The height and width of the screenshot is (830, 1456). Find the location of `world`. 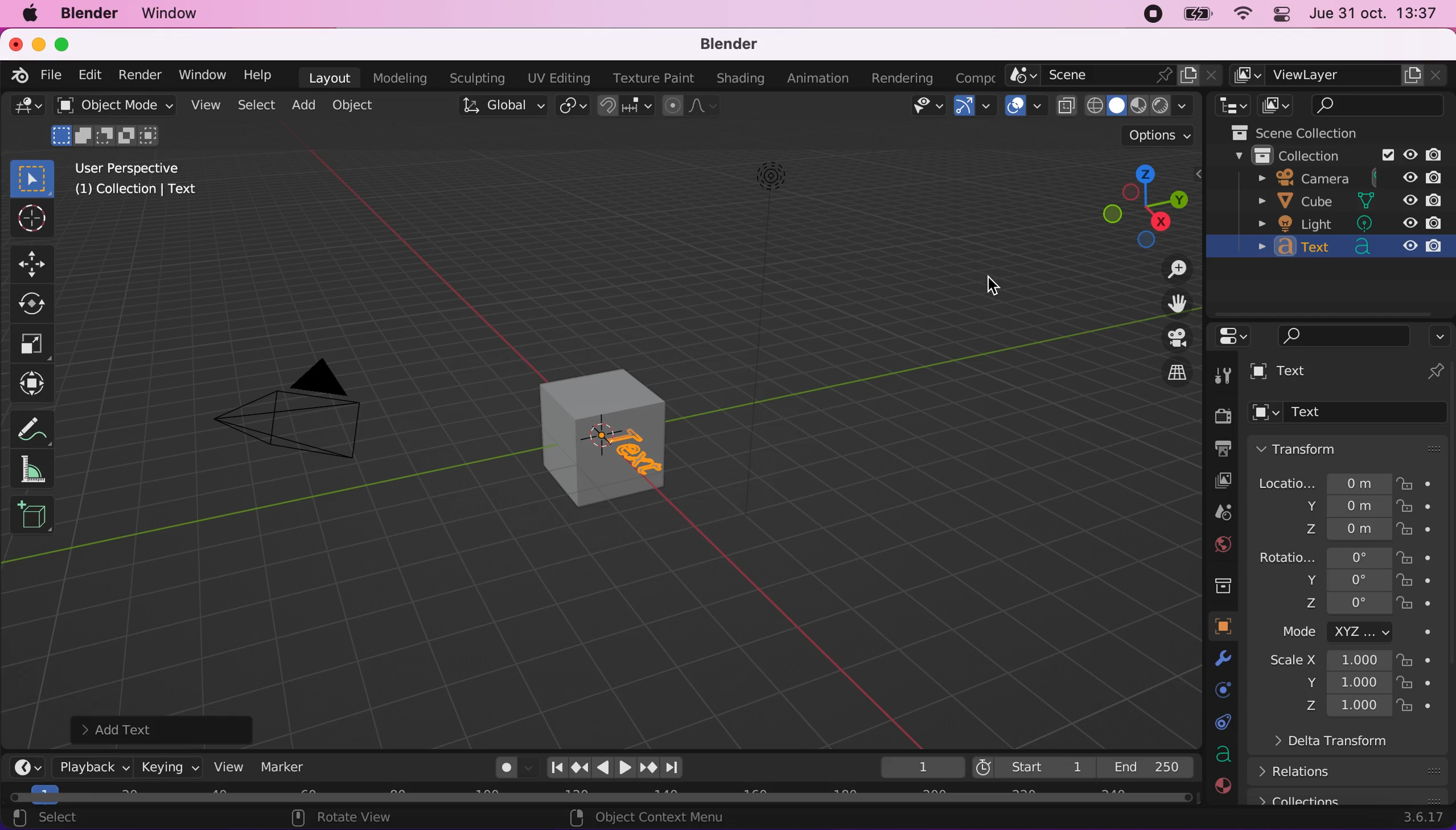

world is located at coordinates (1223, 544).